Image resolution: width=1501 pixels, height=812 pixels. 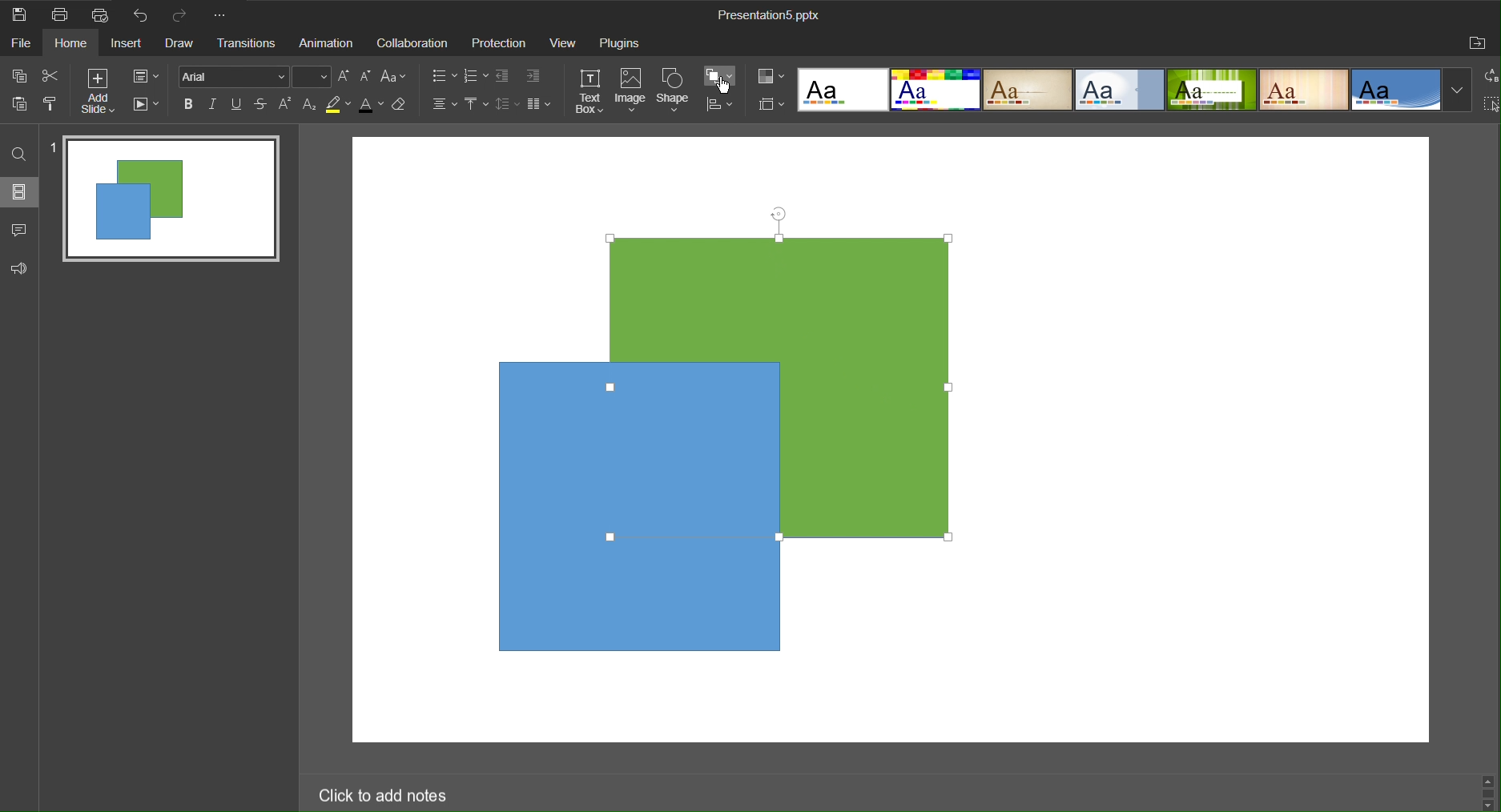 I want to click on Vertical Align, so click(x=476, y=106).